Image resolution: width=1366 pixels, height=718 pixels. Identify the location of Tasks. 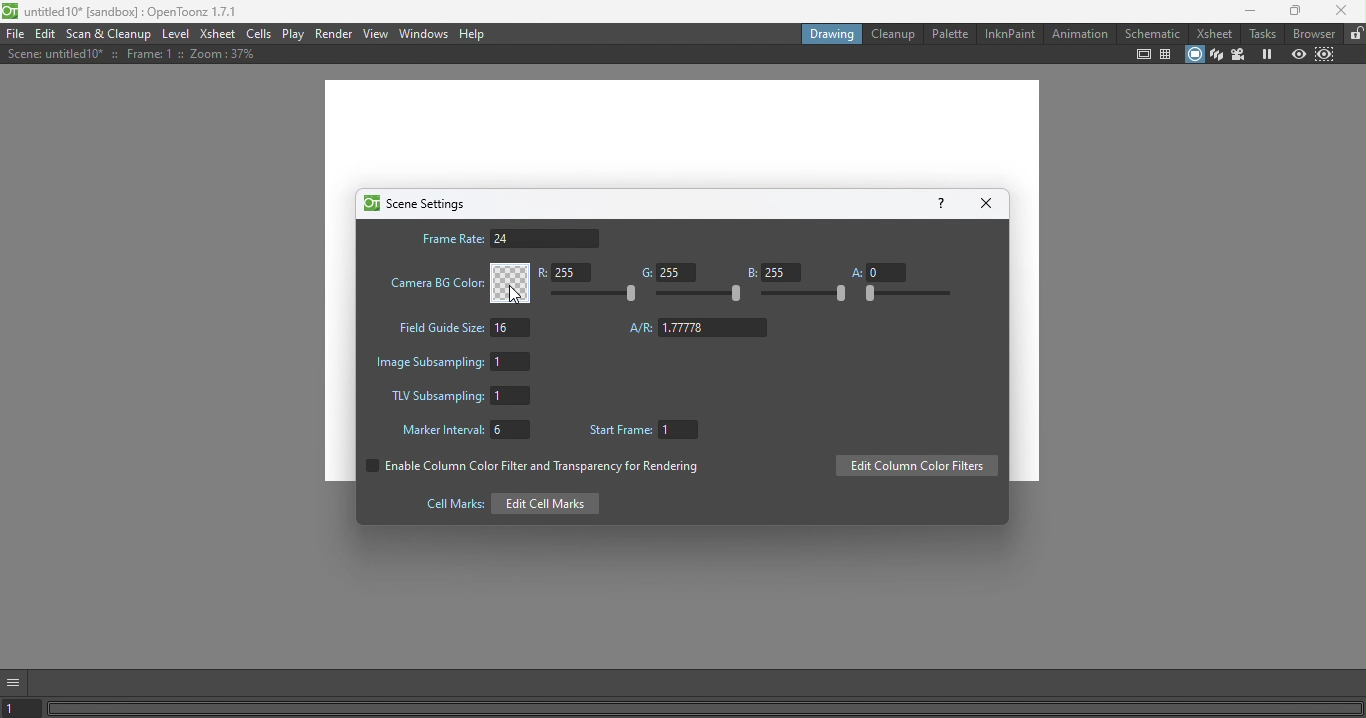
(1262, 34).